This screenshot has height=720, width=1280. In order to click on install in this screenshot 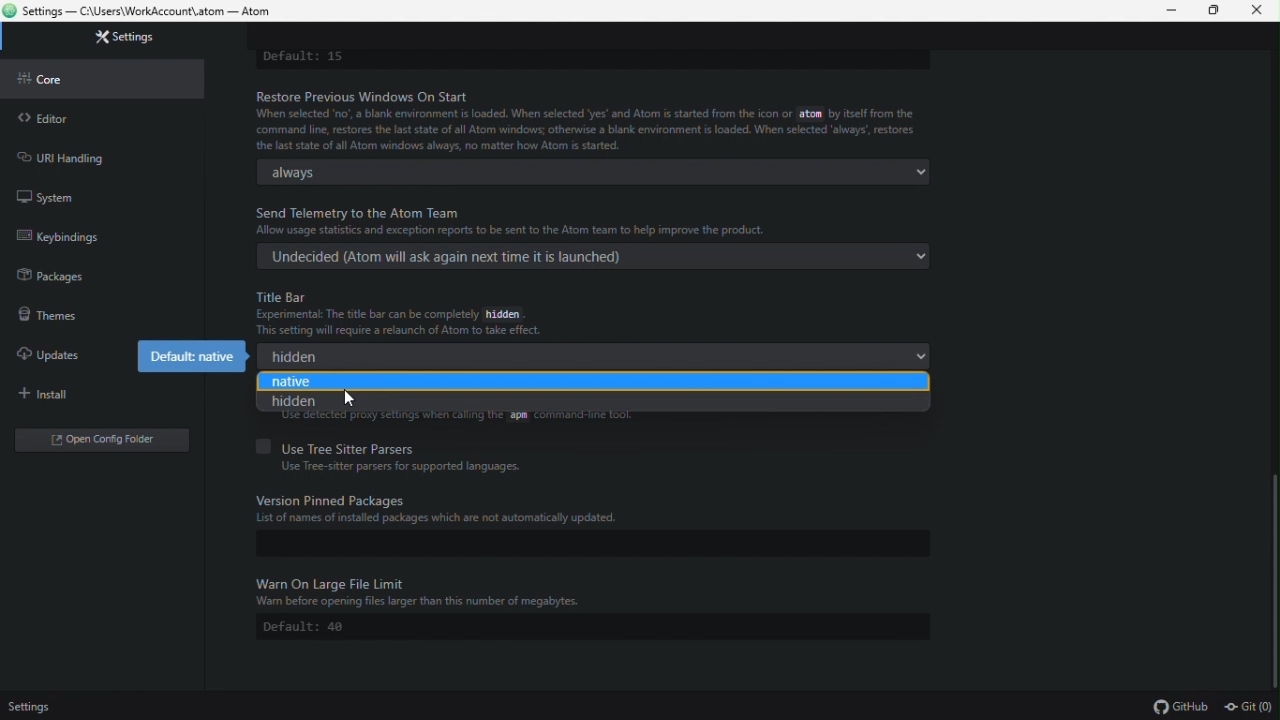, I will do `click(104, 395)`.